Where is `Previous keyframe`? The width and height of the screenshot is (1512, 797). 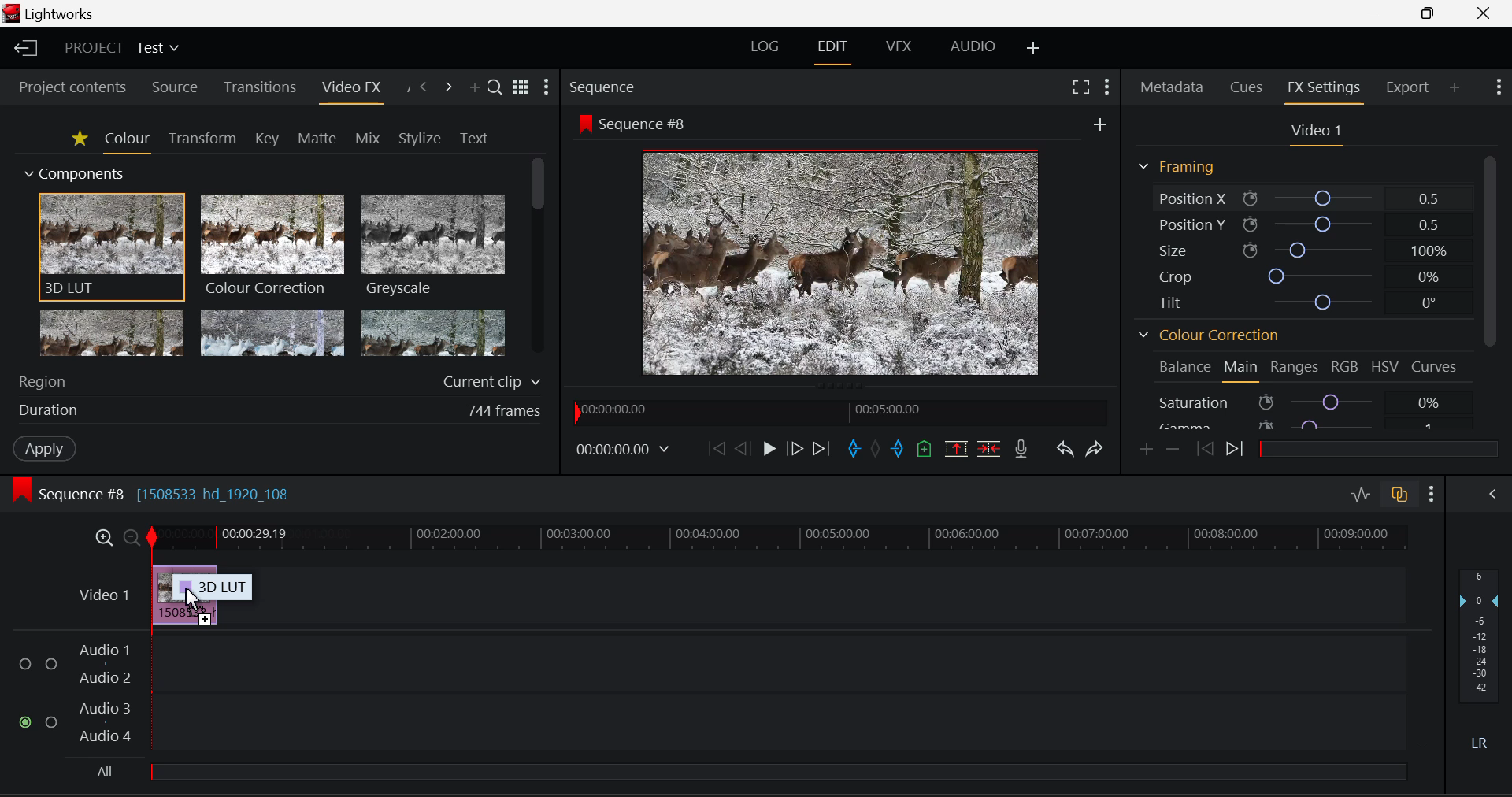
Previous keyframe is located at coordinates (1205, 450).